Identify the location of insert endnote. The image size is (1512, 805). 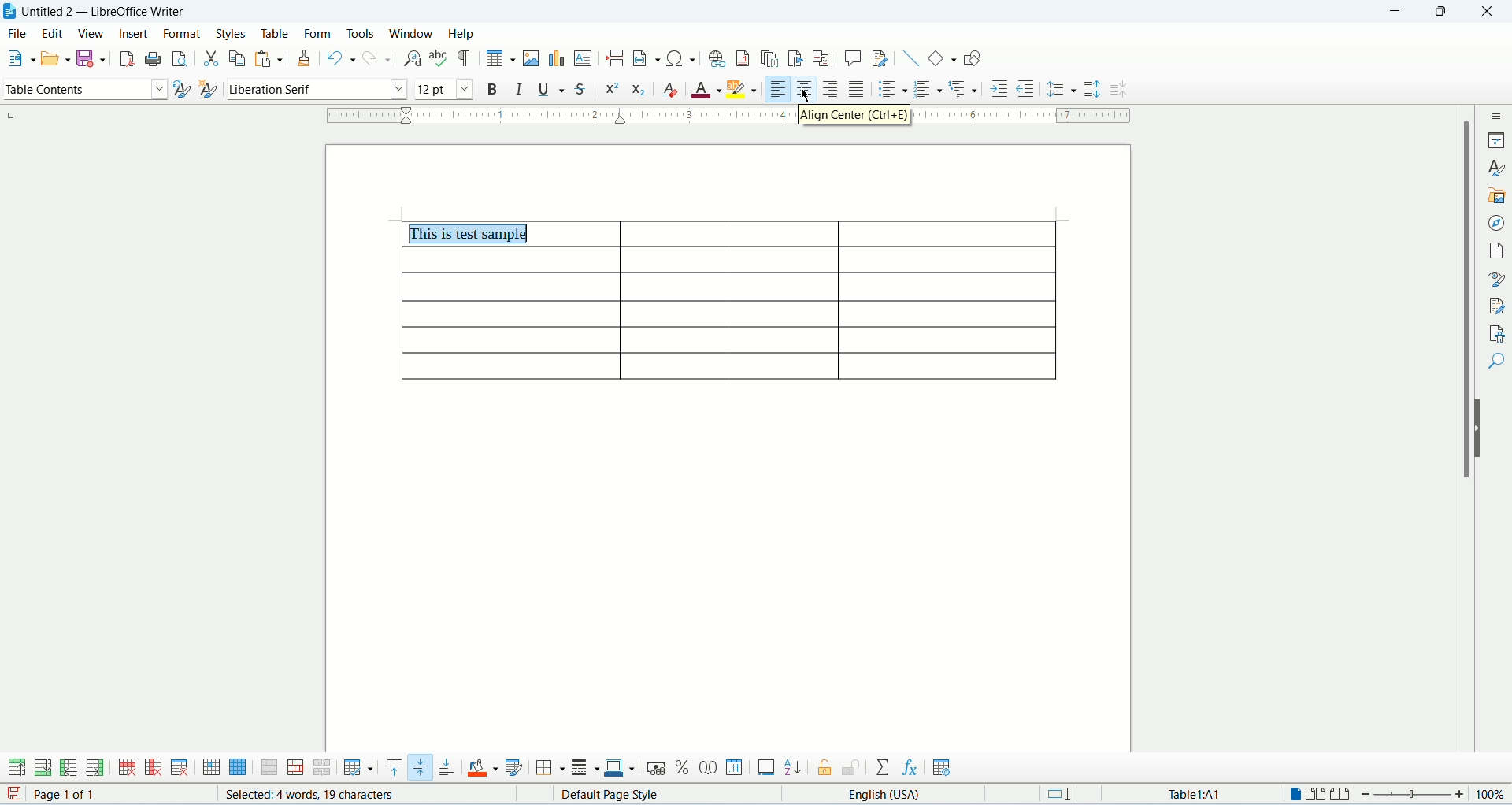
(770, 59).